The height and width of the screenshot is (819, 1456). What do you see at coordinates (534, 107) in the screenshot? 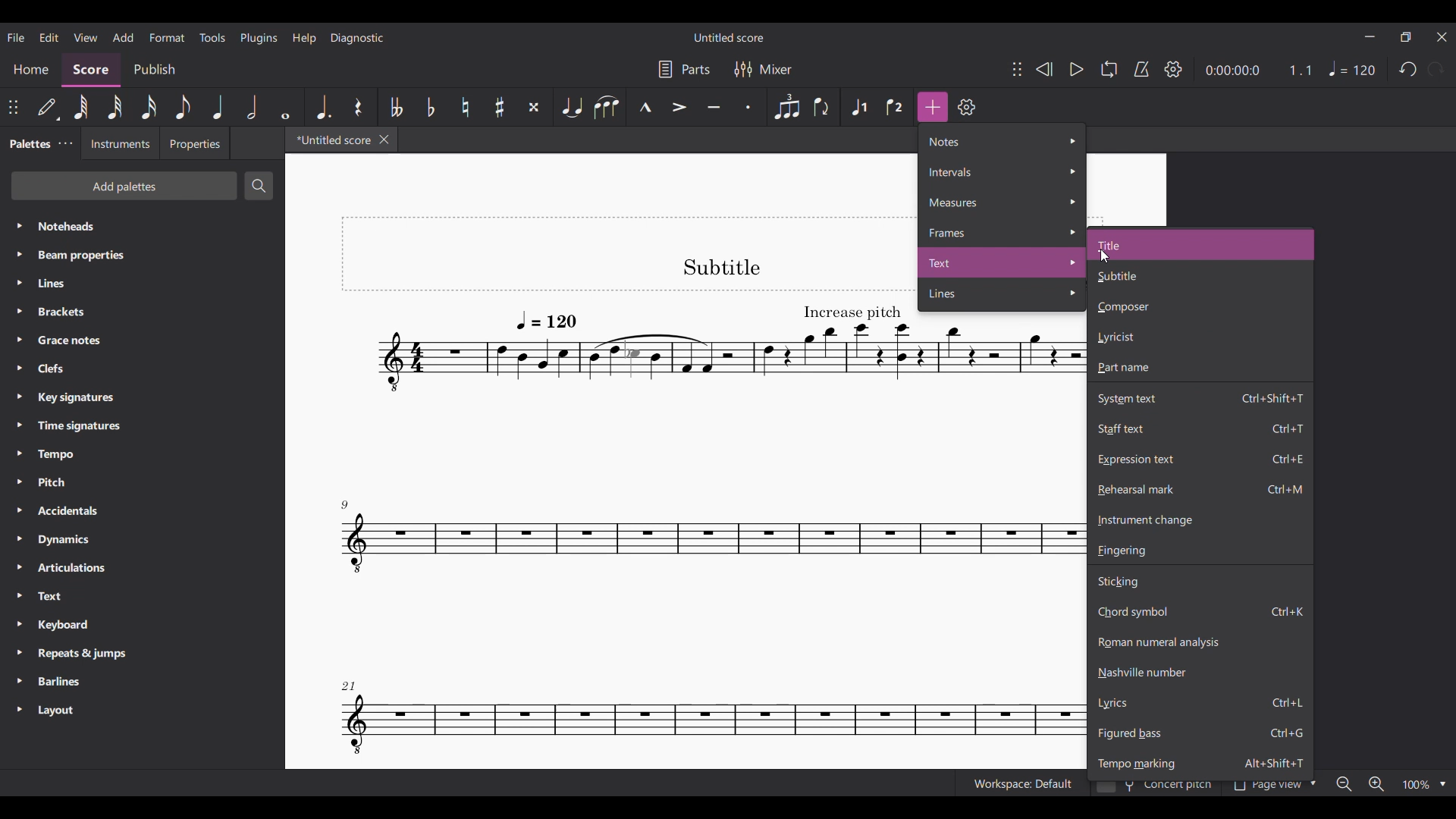
I see `Toggle double sharp` at bounding box center [534, 107].